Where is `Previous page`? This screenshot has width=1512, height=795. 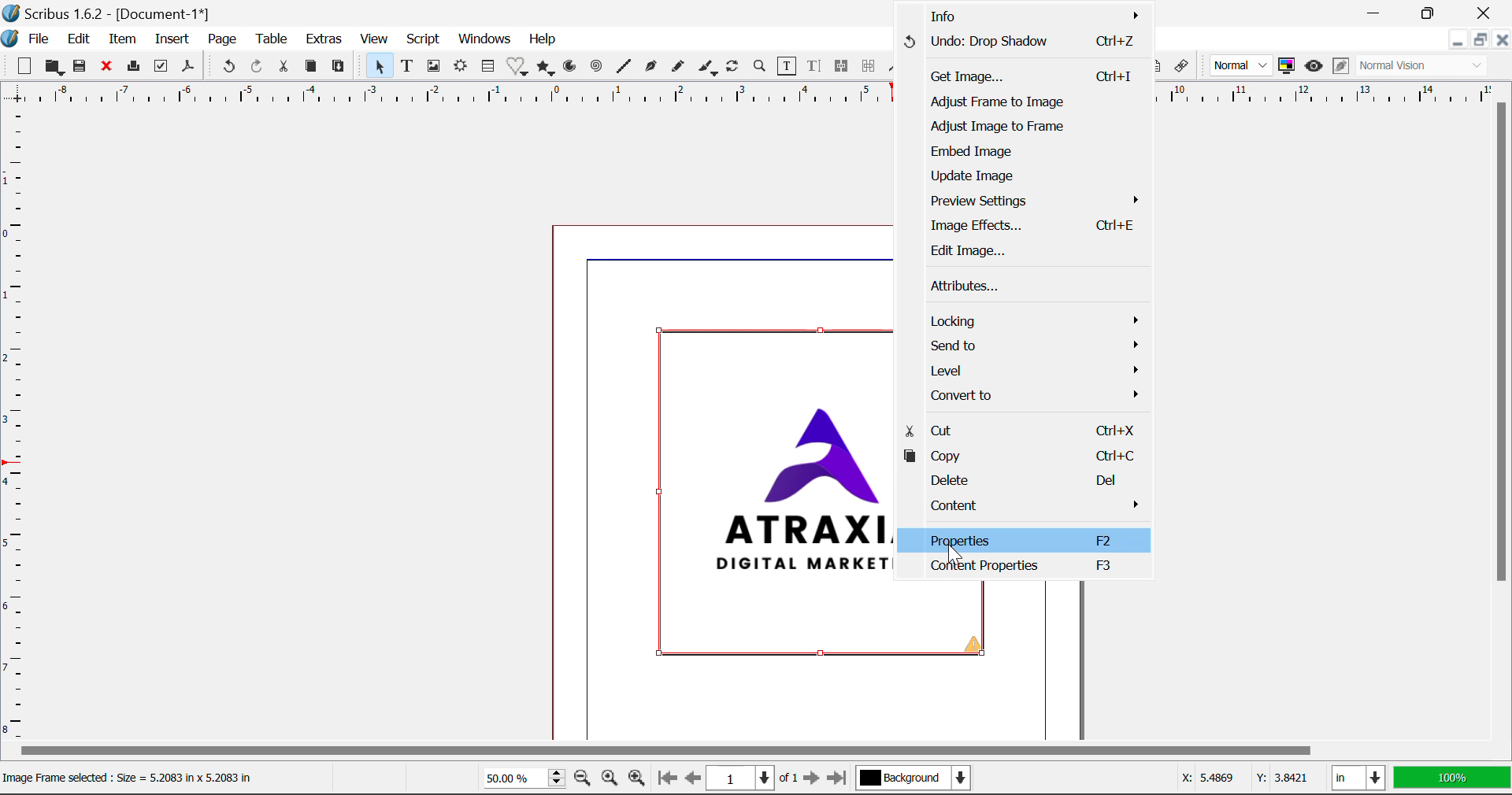
Previous page is located at coordinates (690, 777).